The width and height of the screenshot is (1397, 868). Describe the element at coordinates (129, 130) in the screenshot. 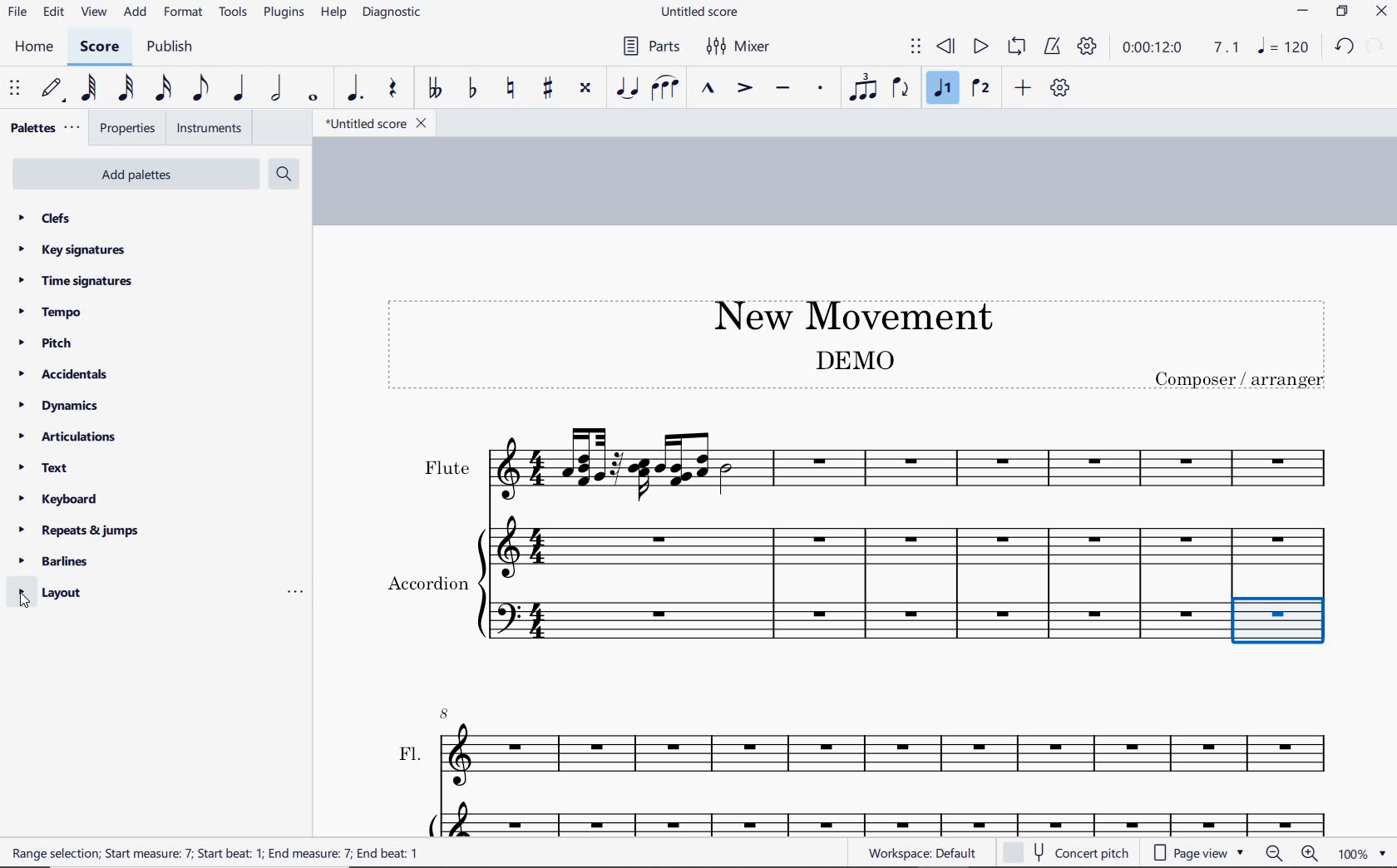

I see `properties` at that location.